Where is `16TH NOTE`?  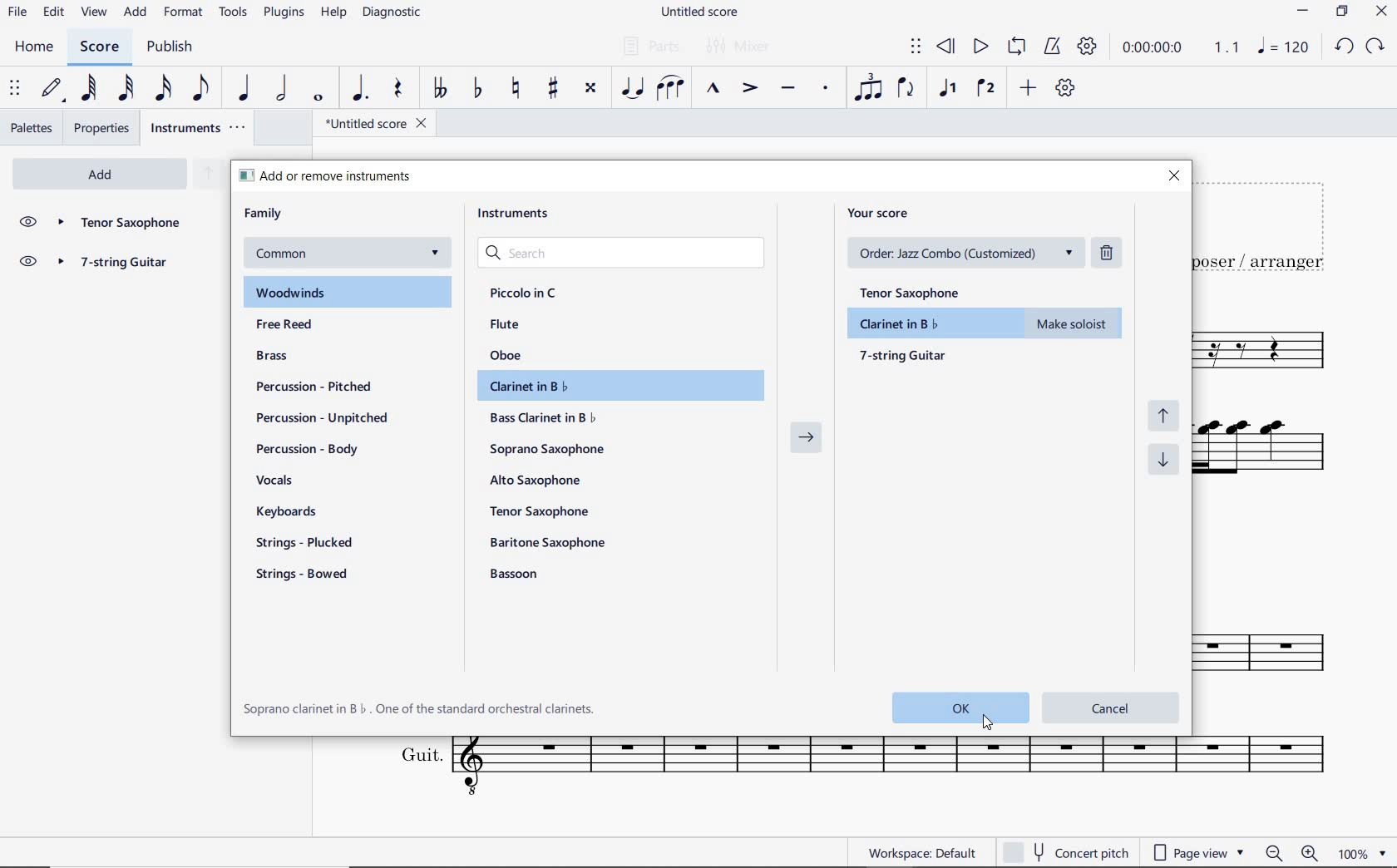
16TH NOTE is located at coordinates (165, 87).